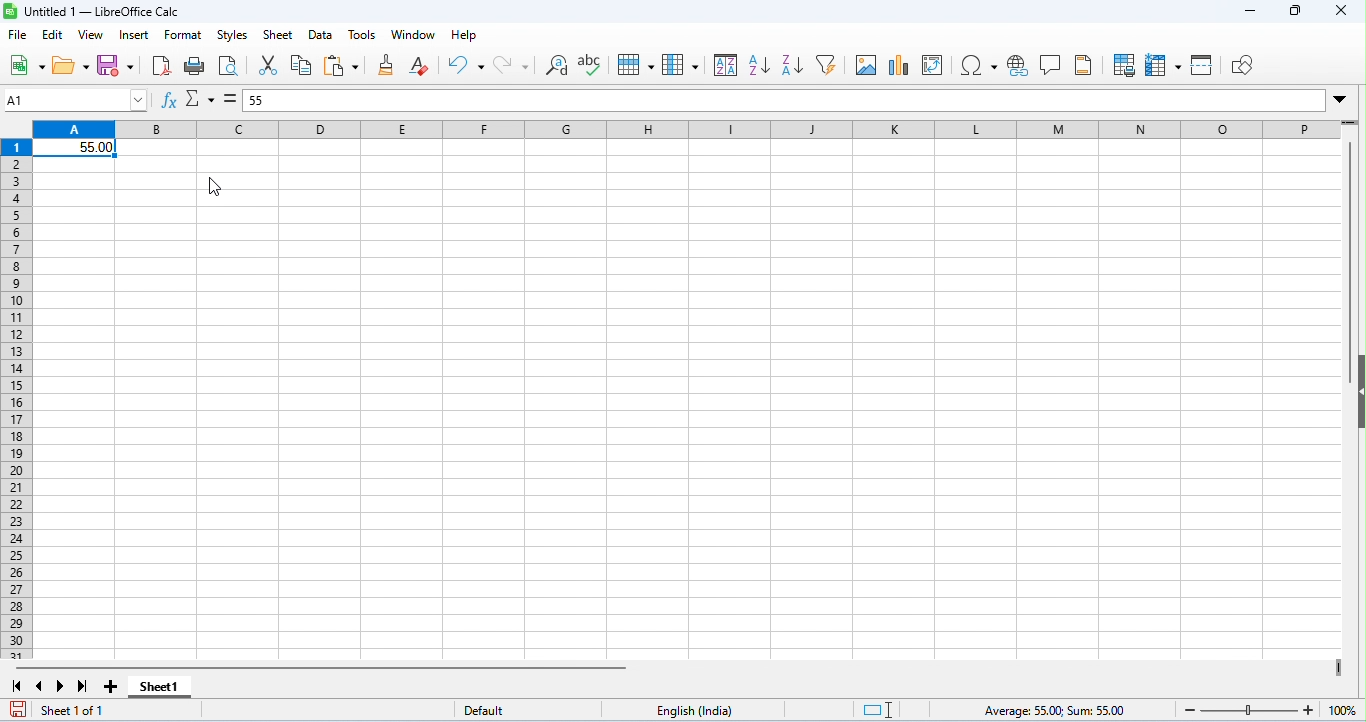 The height and width of the screenshot is (722, 1366). What do you see at coordinates (558, 68) in the screenshot?
I see `find and replace` at bounding box center [558, 68].